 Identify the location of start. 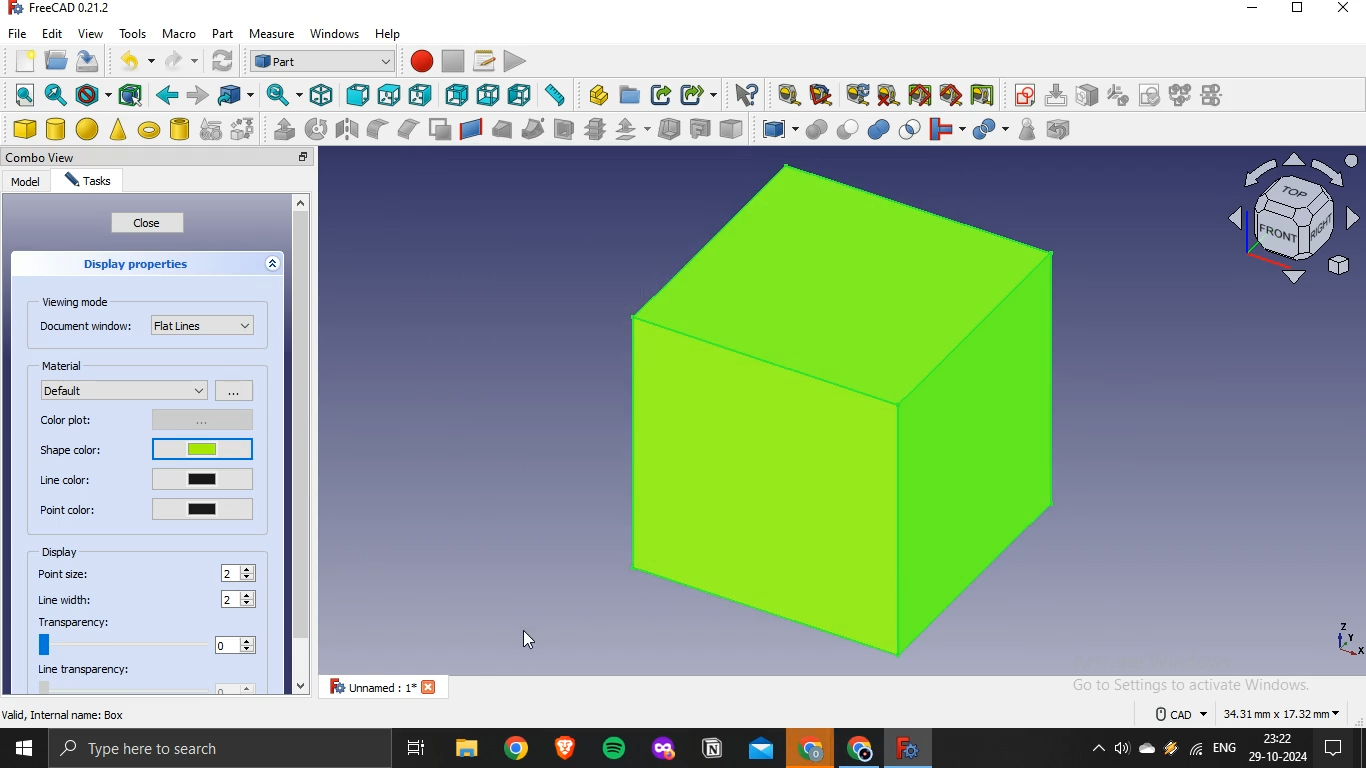
(23, 751).